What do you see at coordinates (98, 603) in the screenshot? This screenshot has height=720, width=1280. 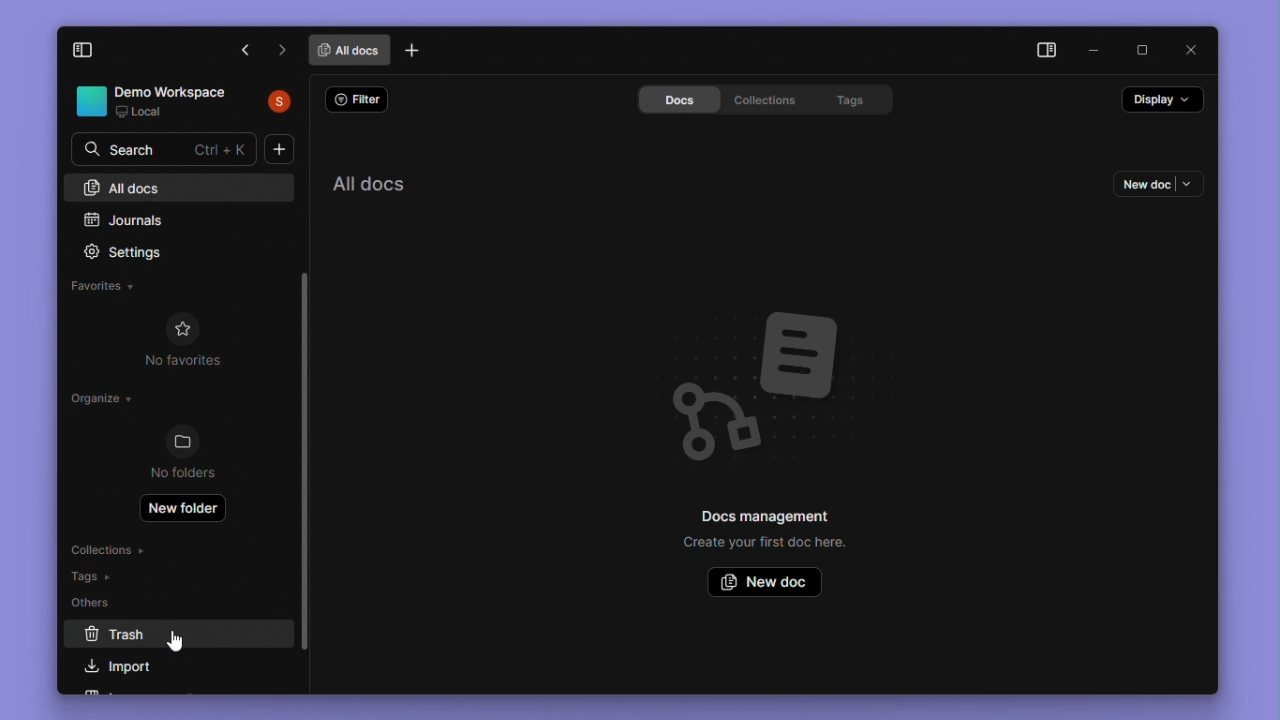 I see `Others` at bounding box center [98, 603].